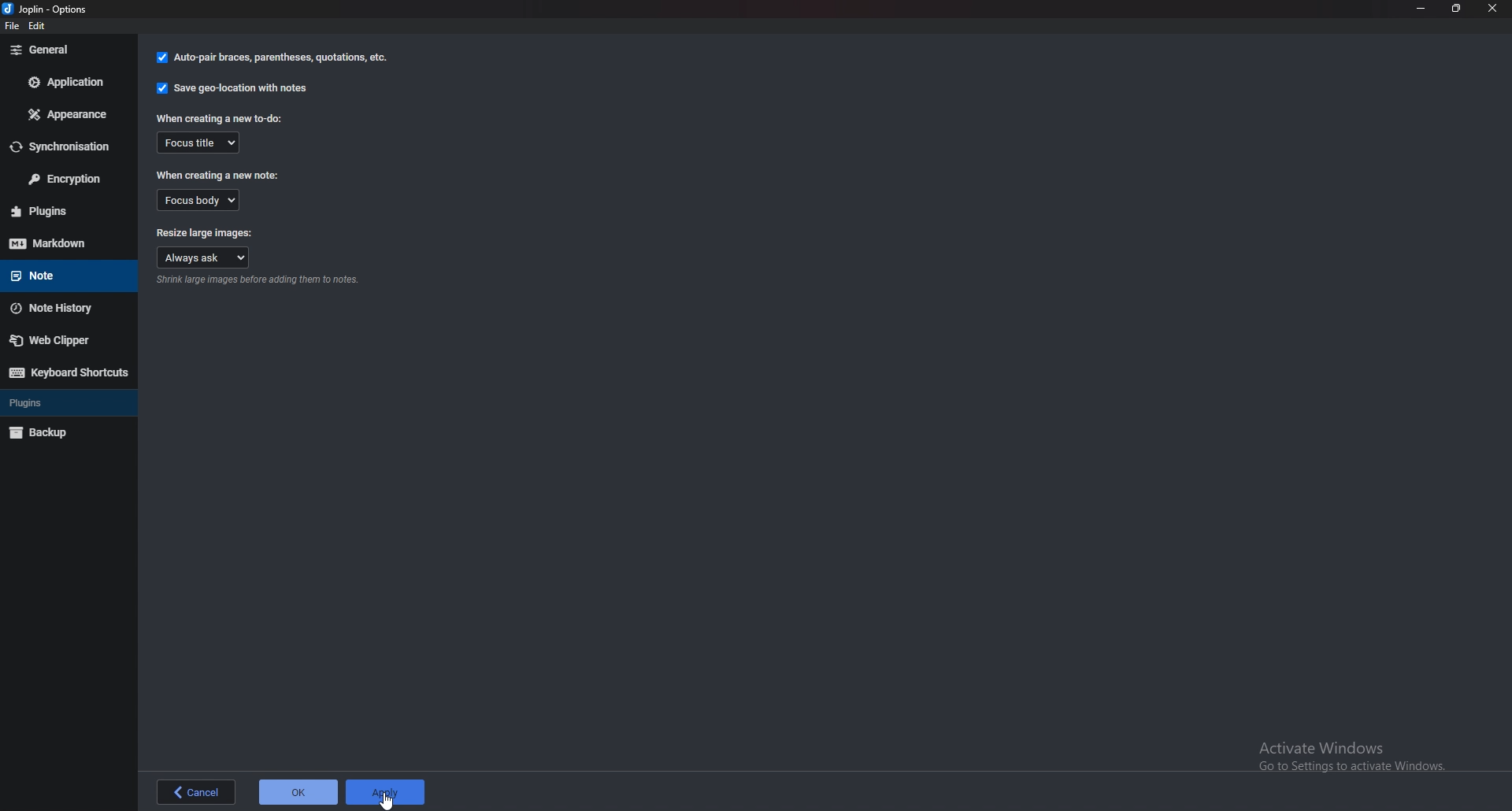 This screenshot has width=1512, height=811. Describe the element at coordinates (1492, 8) in the screenshot. I see `close` at that location.